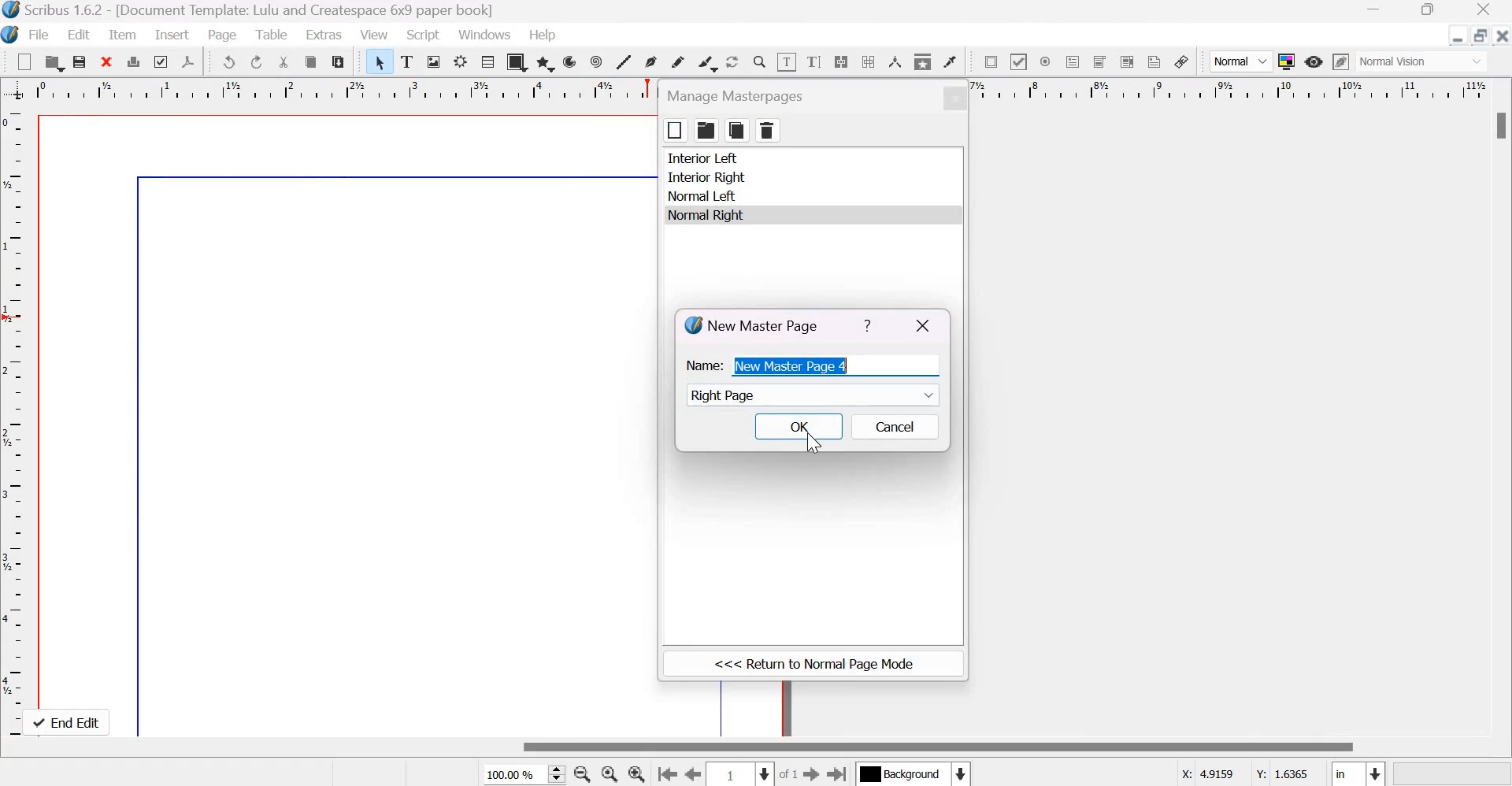 This screenshot has height=786, width=1512. What do you see at coordinates (916, 773) in the screenshot?
I see `Select the current layer` at bounding box center [916, 773].